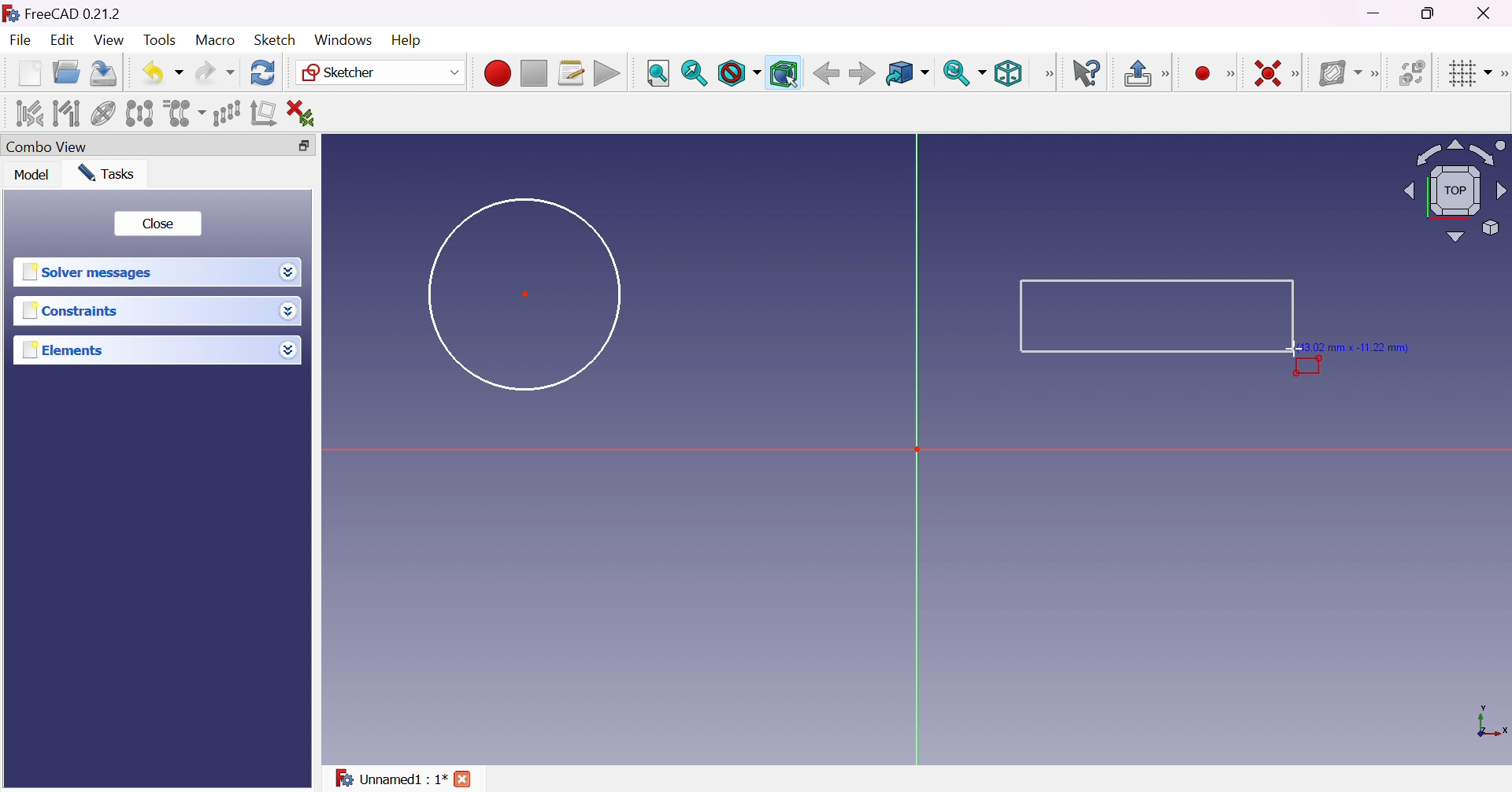 The height and width of the screenshot is (792, 1512). I want to click on File, so click(22, 42).